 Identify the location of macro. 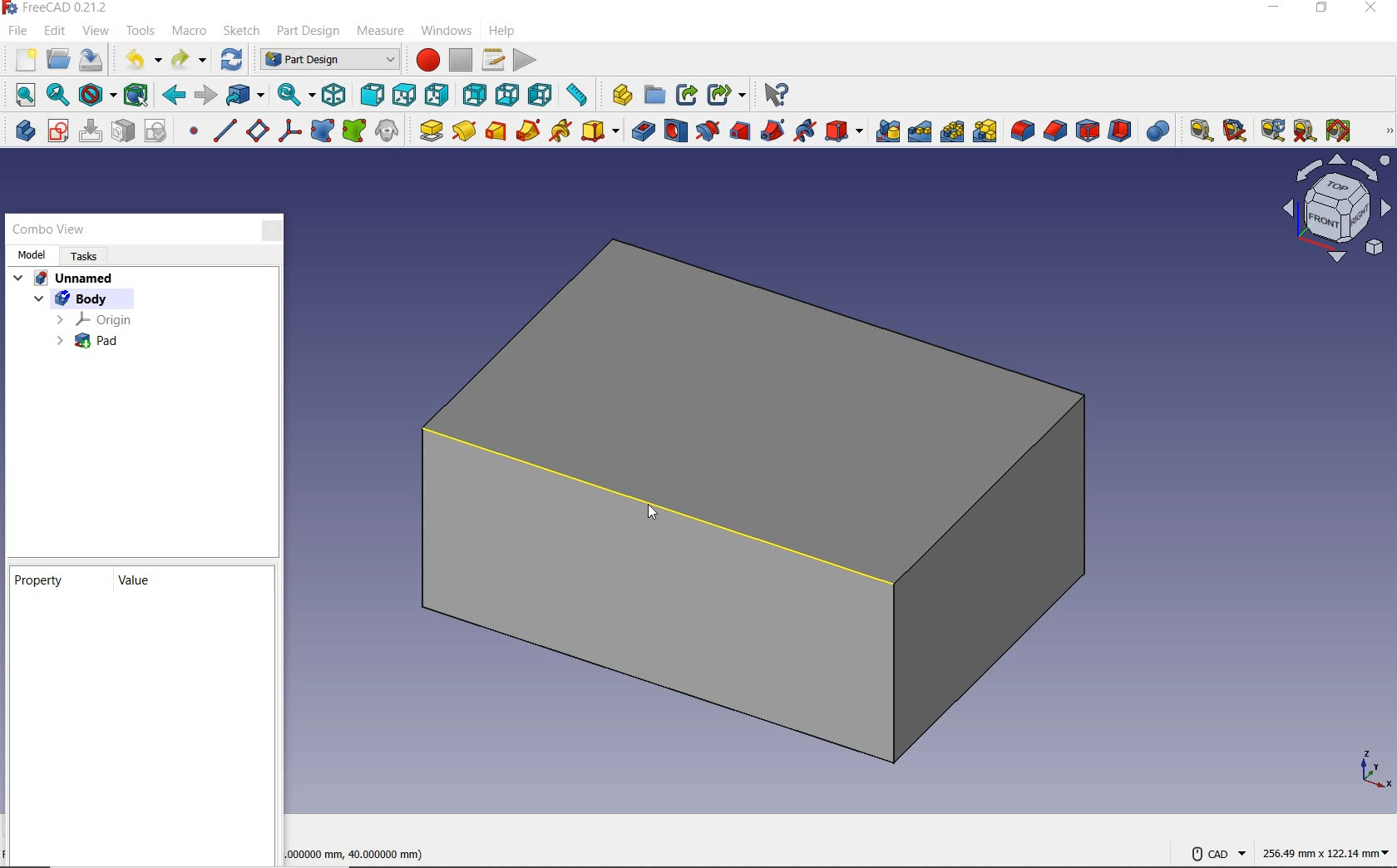
(192, 32).